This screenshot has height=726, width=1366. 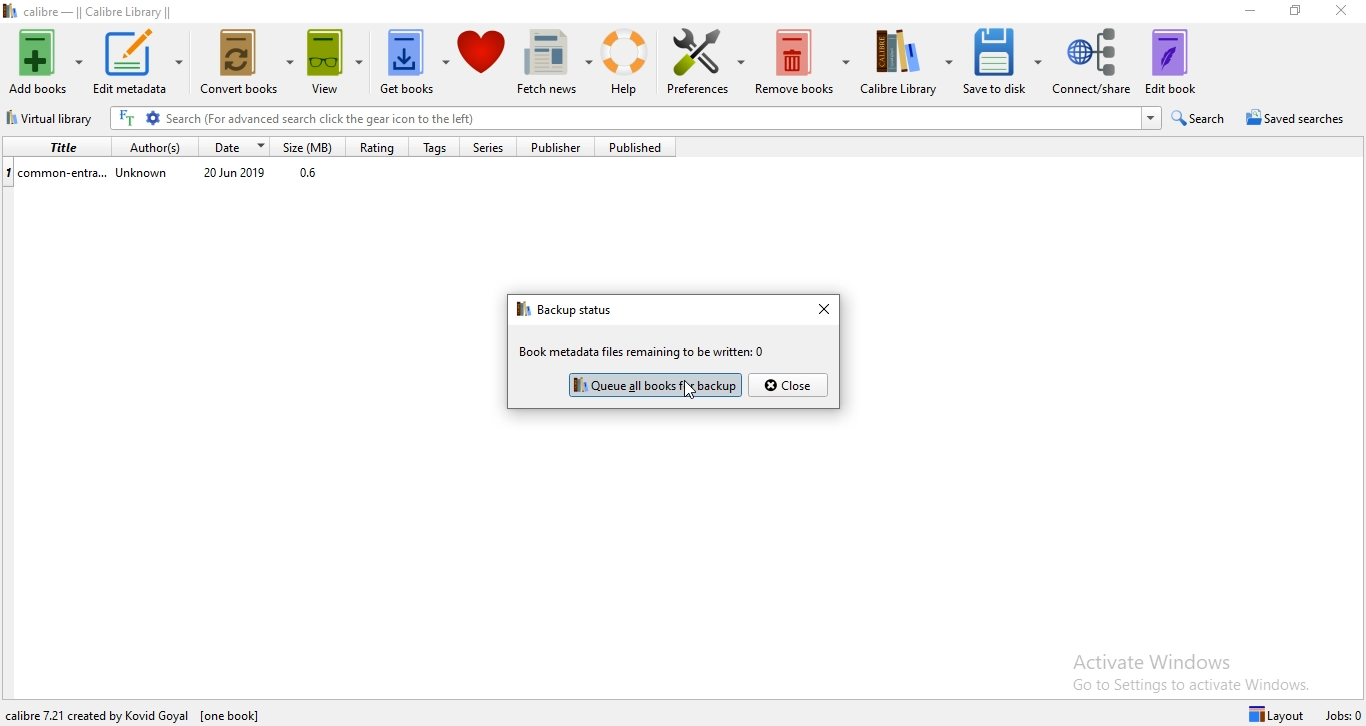 I want to click on Search the full text of all books in the library, not just their metadata, so click(x=127, y=118).